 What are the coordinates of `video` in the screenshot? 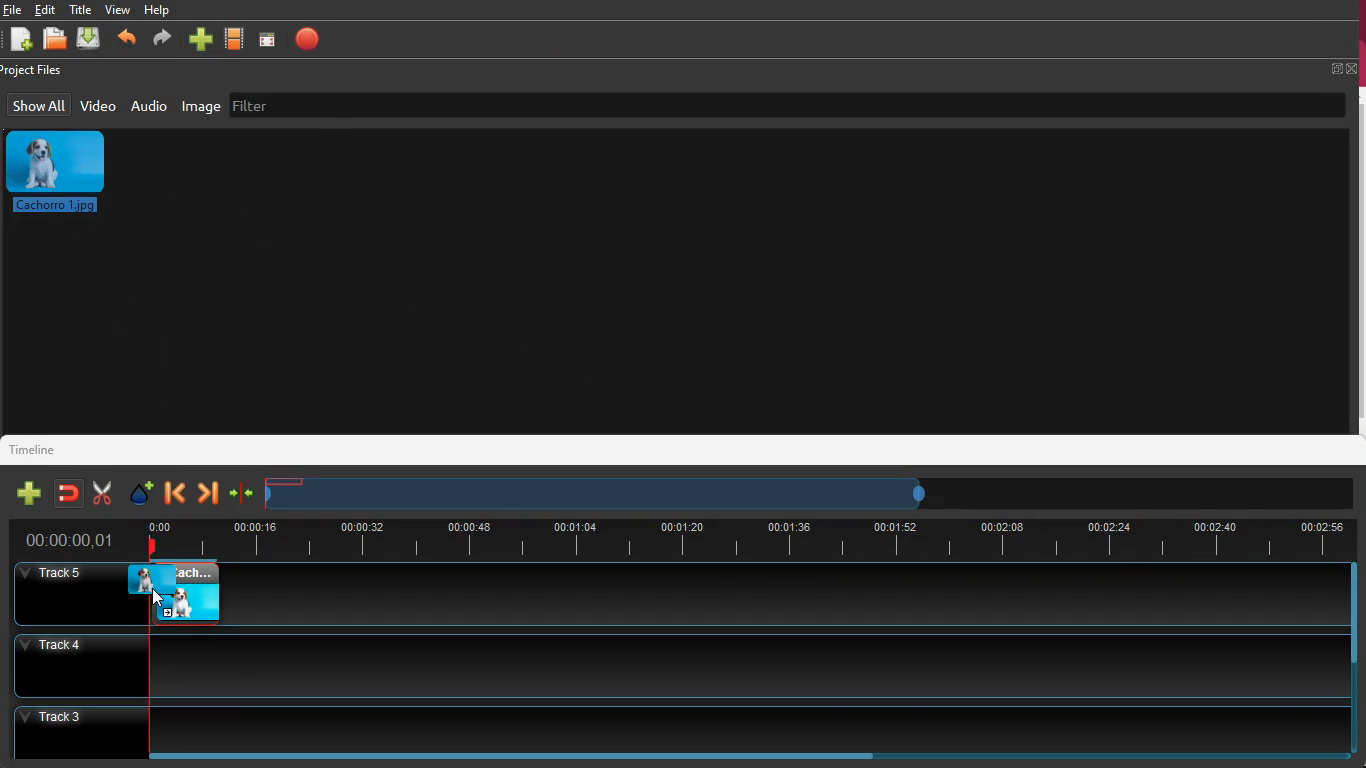 It's located at (184, 590).